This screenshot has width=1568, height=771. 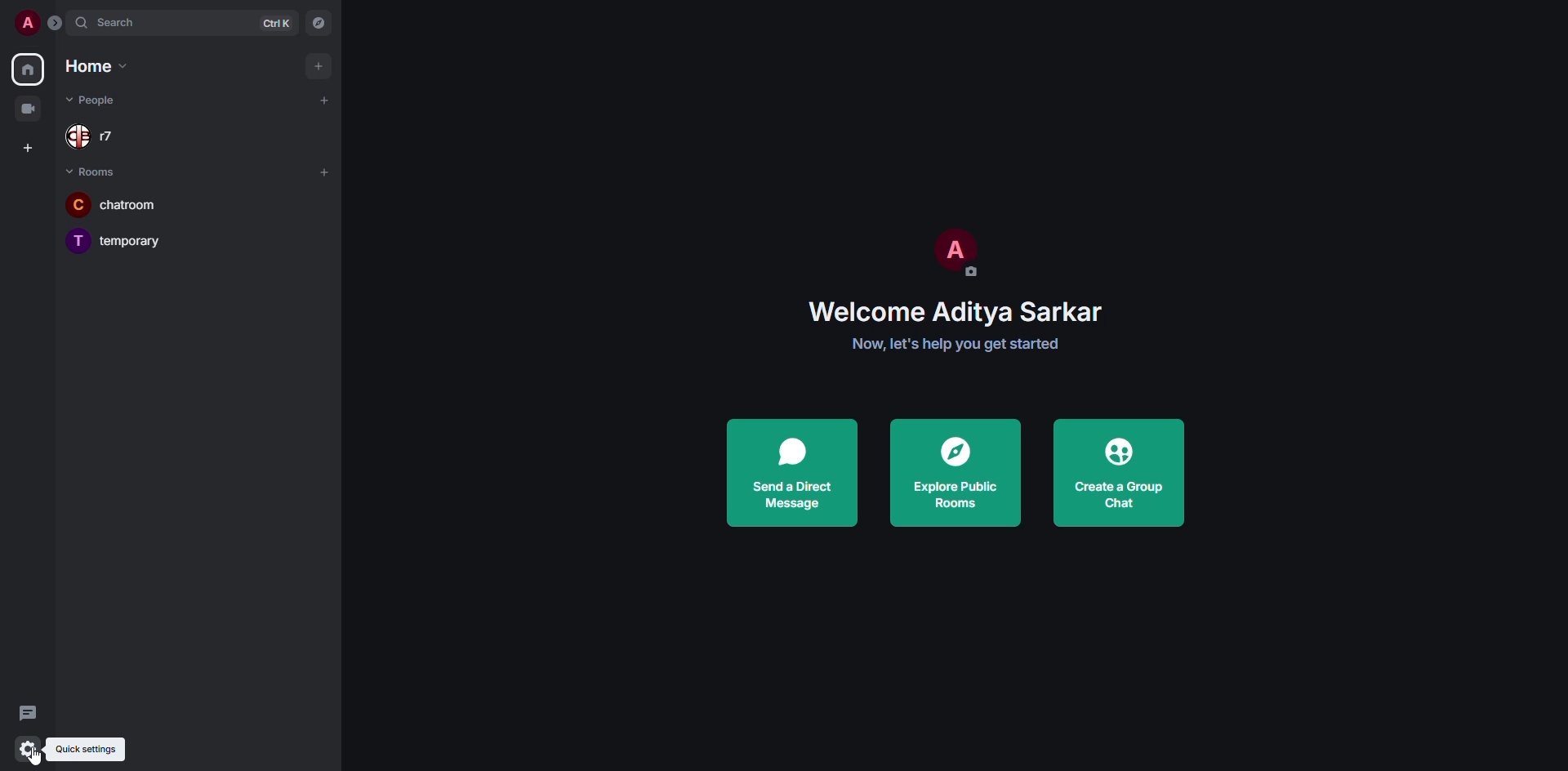 I want to click on create space, so click(x=26, y=146).